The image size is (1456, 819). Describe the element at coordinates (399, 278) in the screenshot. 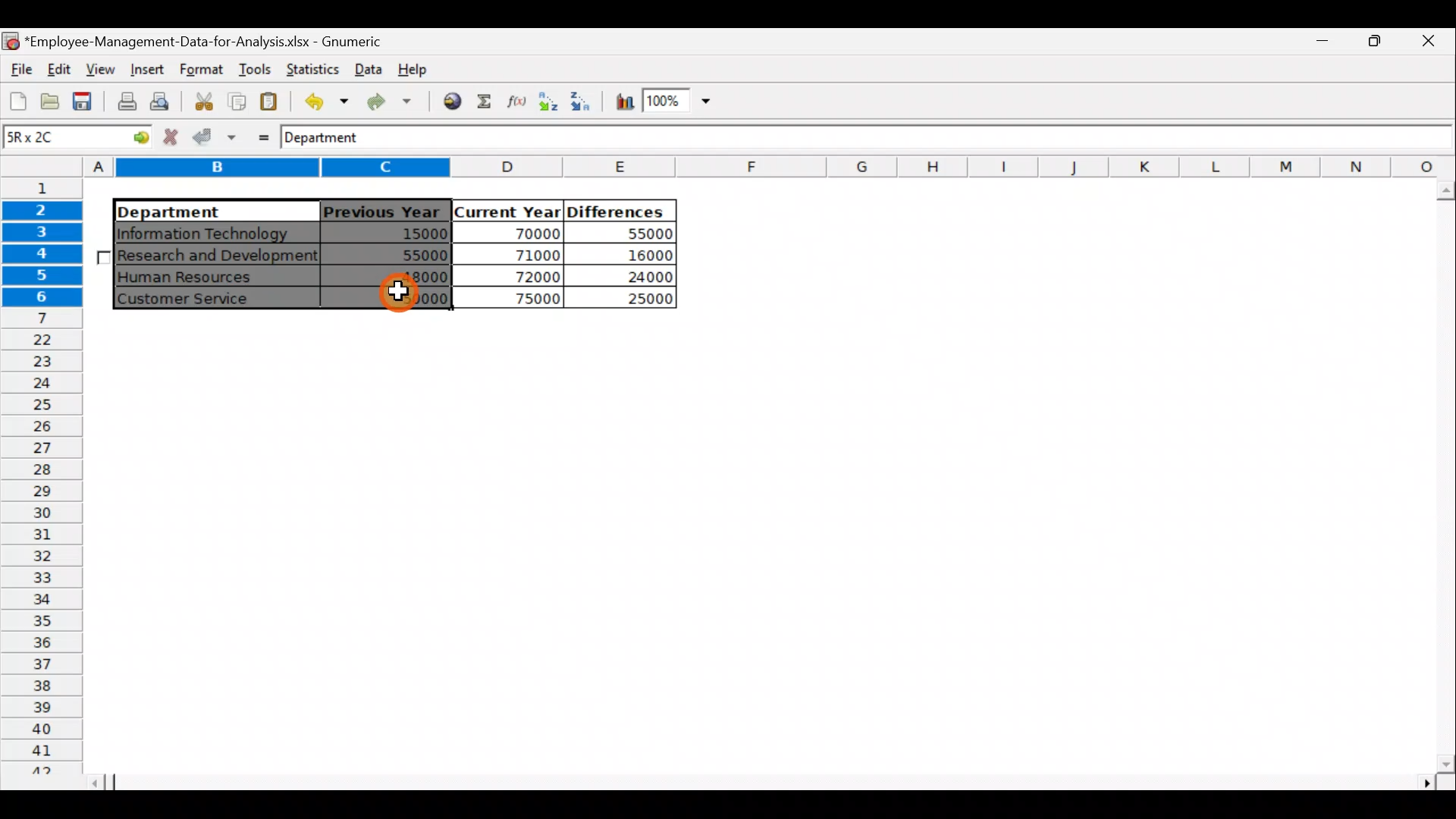

I see `48000` at that location.